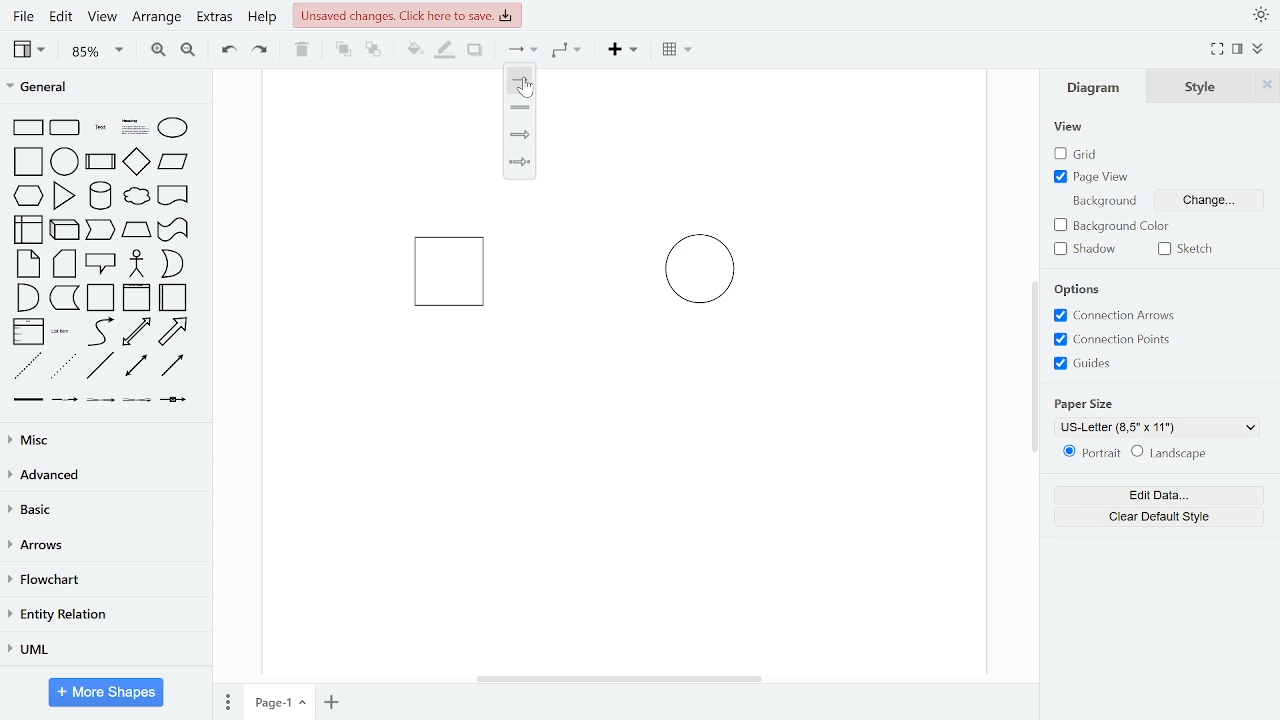 The image size is (1280, 720). What do you see at coordinates (138, 366) in the screenshot?
I see `bidirectional connector` at bounding box center [138, 366].